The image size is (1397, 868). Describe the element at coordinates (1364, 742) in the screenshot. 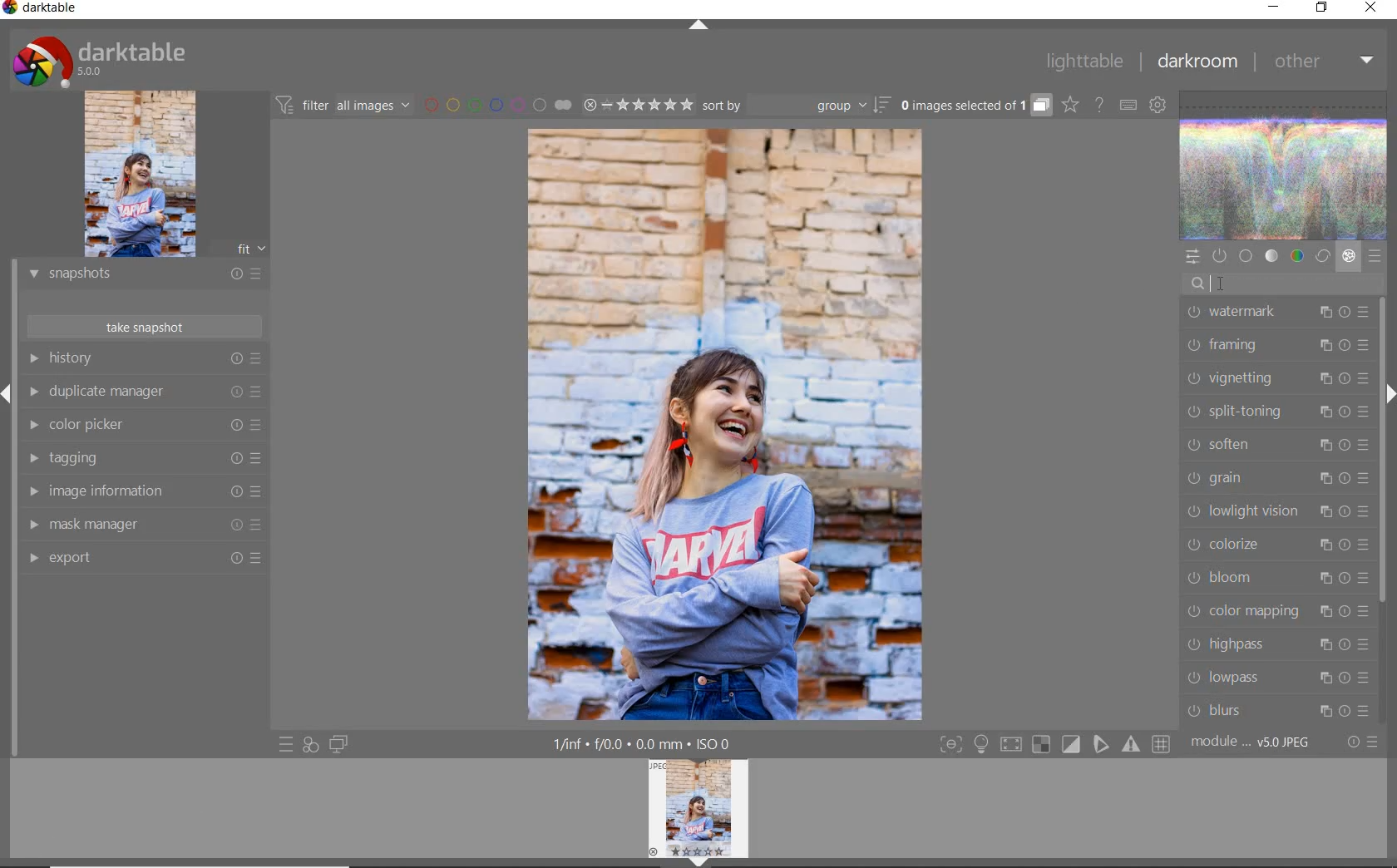

I see `reset or presets and preferences` at that location.